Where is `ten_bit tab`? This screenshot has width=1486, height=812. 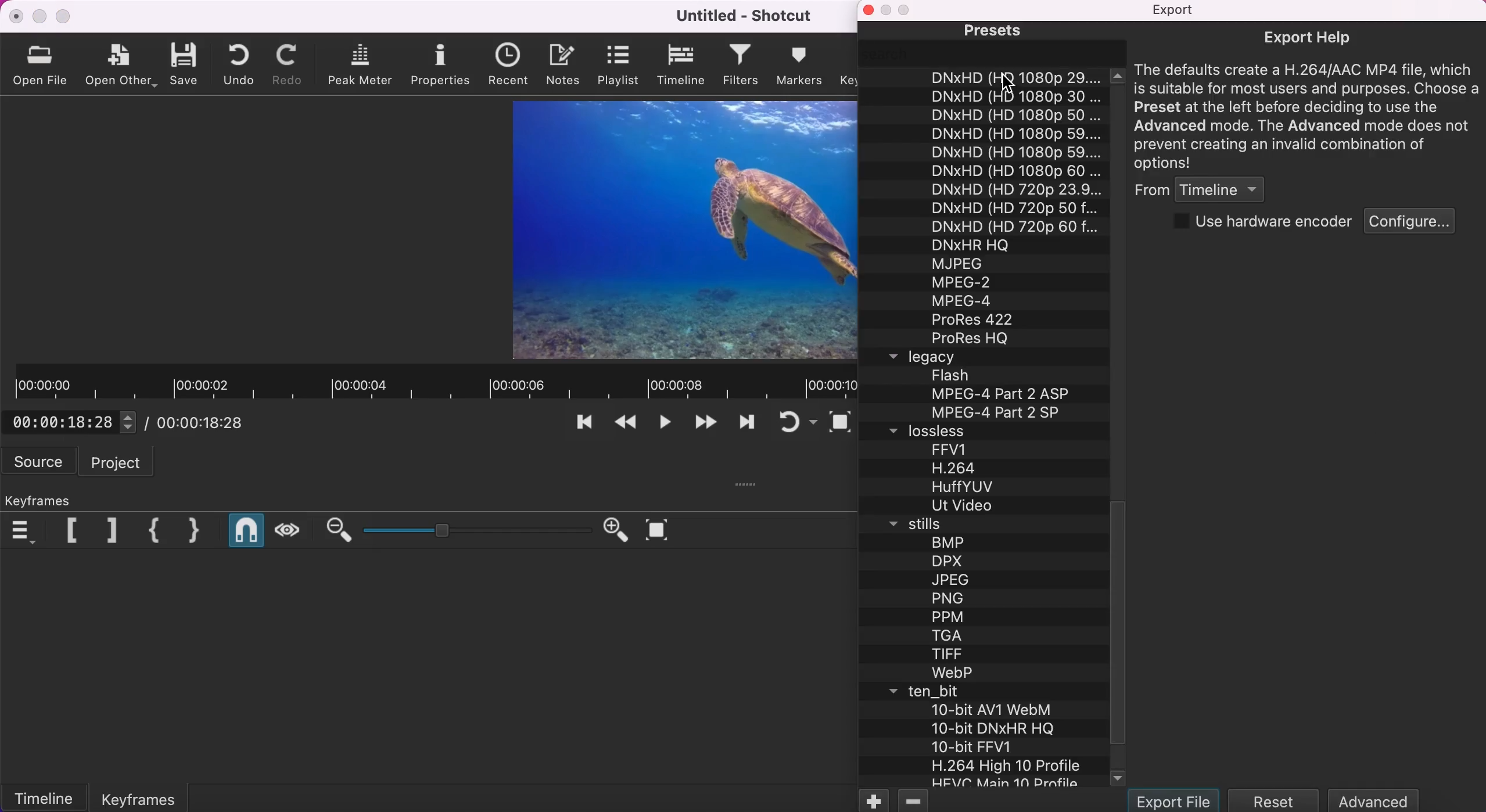 ten_bit tab is located at coordinates (979, 689).